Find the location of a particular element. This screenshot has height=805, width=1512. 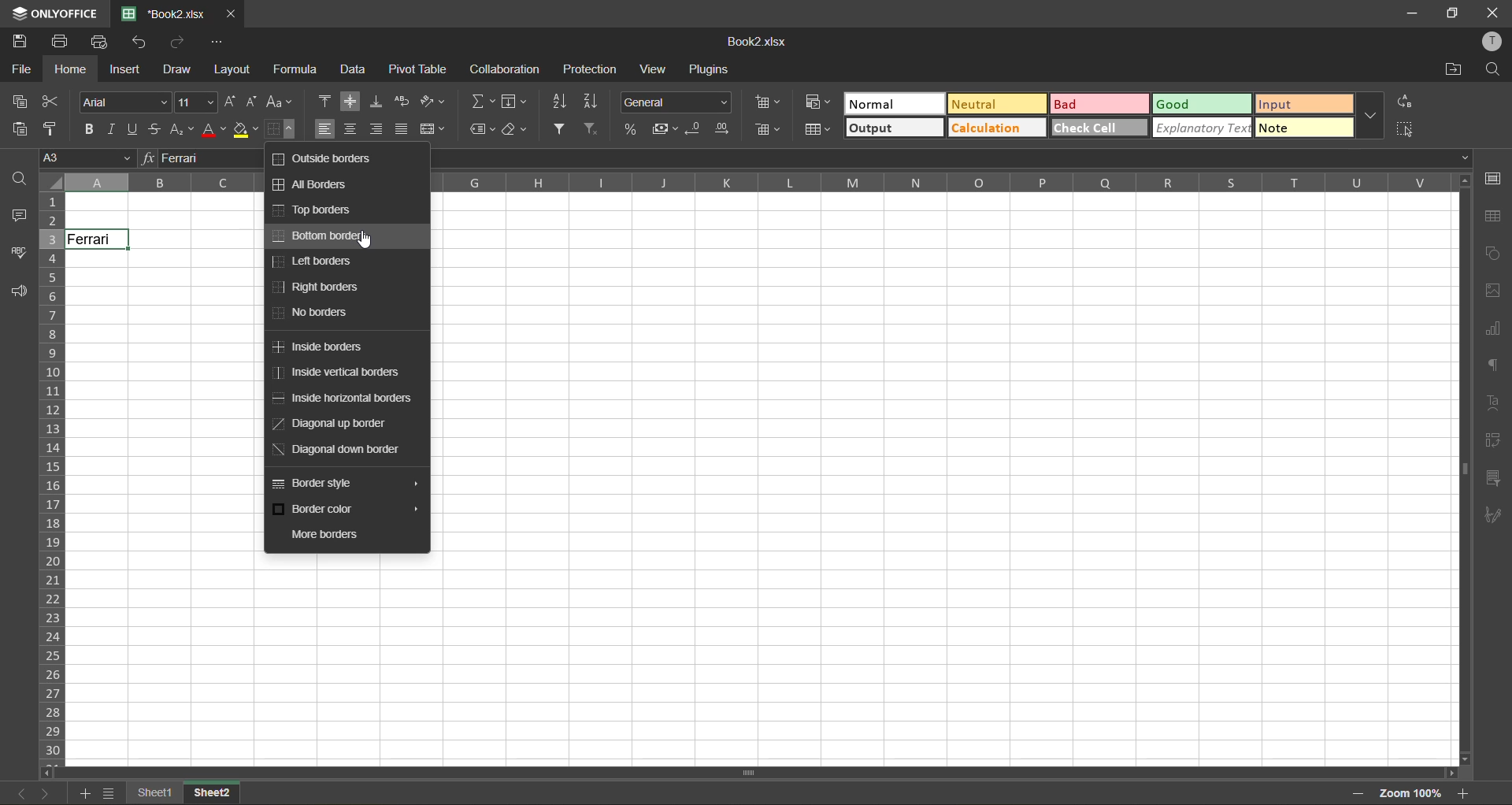

clear filter is located at coordinates (596, 129).